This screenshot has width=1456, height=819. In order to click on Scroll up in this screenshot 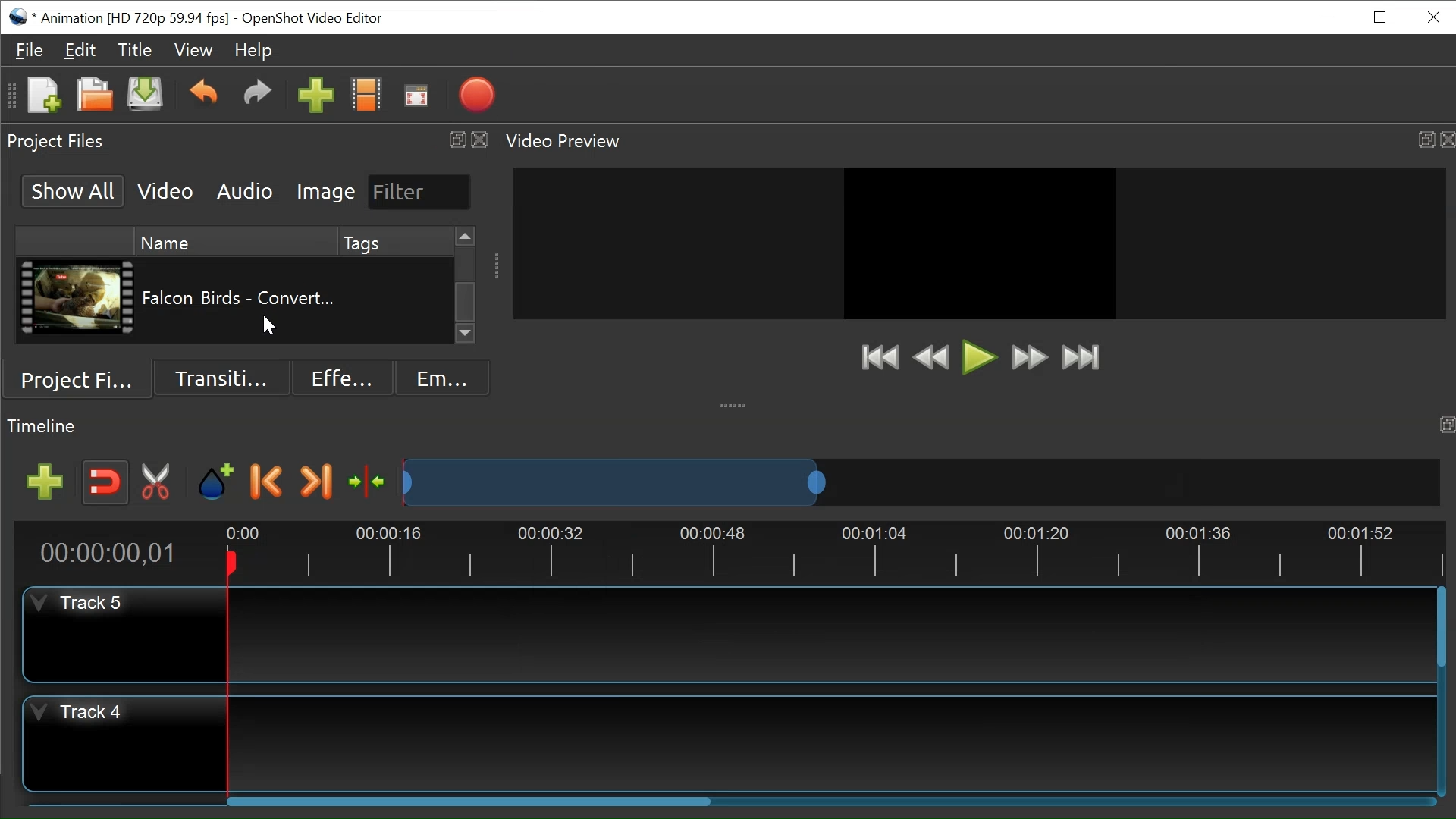, I will do `click(467, 237)`.